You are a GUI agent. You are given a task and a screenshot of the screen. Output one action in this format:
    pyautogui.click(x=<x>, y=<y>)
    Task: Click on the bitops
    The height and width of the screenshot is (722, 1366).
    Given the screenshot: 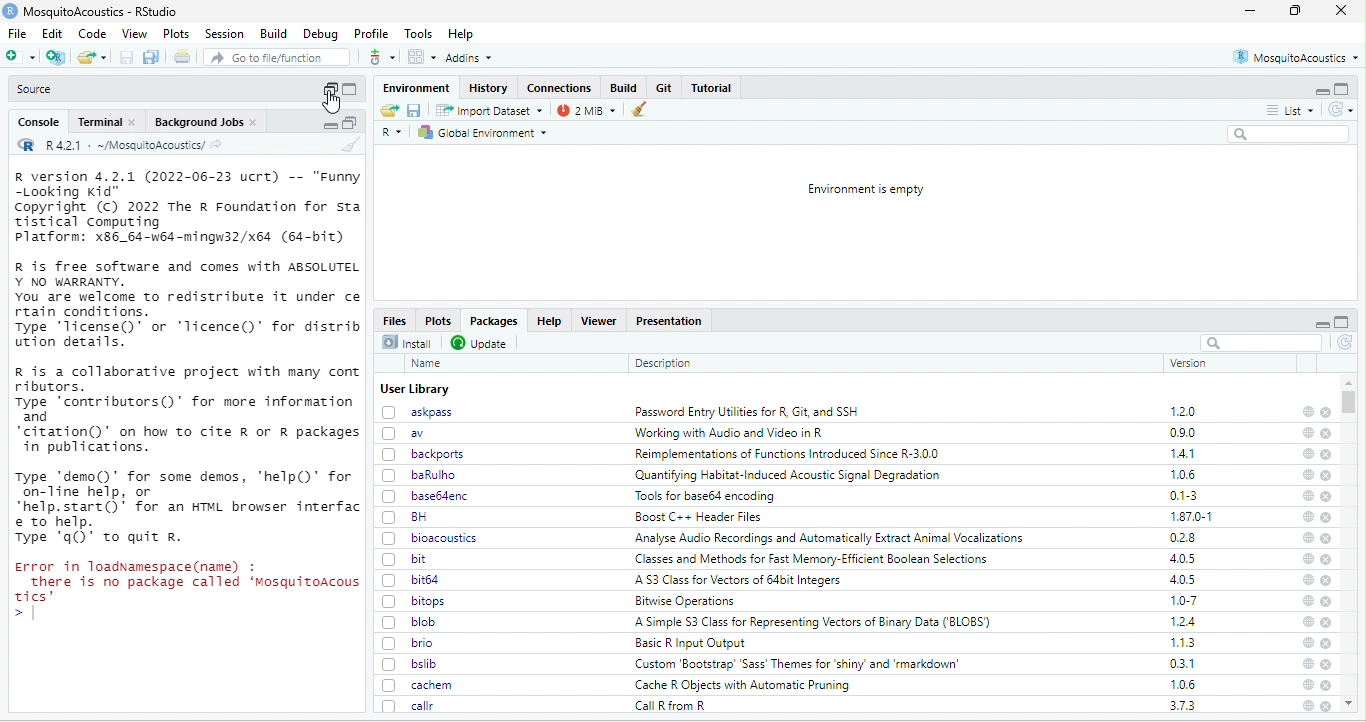 What is the action you would take?
    pyautogui.click(x=414, y=601)
    